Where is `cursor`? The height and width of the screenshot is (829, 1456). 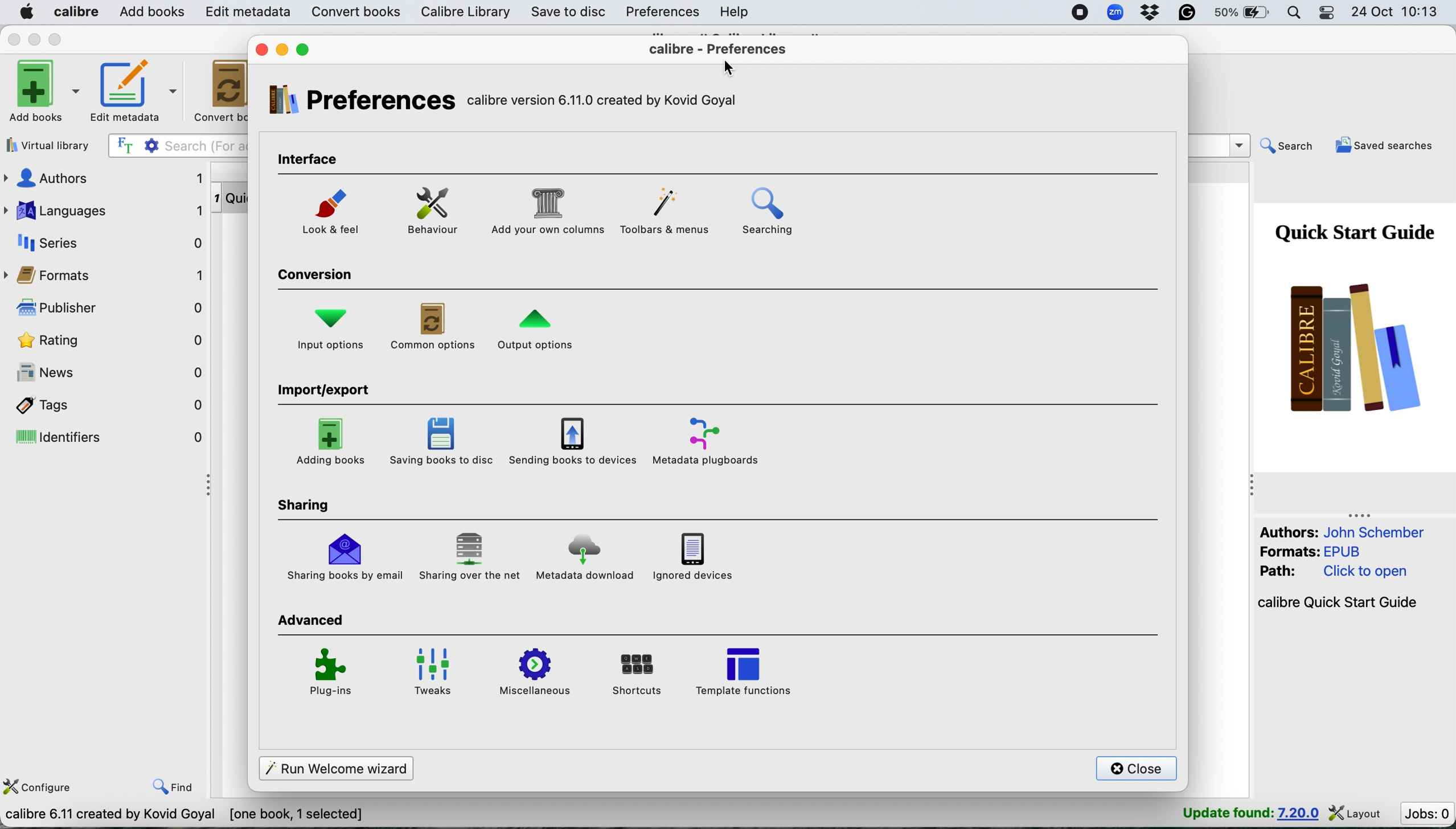
cursor is located at coordinates (729, 70).